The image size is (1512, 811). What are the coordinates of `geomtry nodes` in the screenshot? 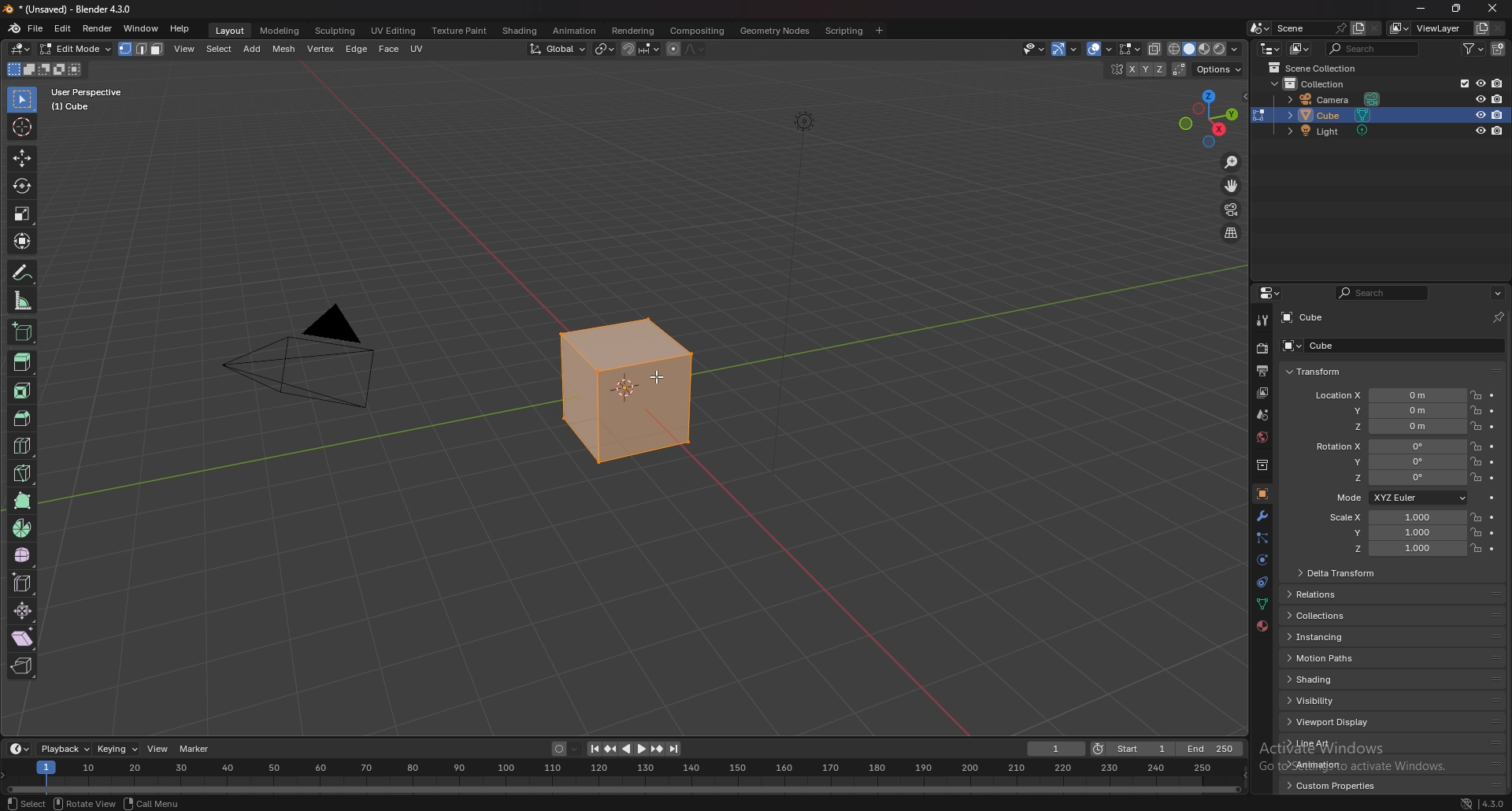 It's located at (776, 31).